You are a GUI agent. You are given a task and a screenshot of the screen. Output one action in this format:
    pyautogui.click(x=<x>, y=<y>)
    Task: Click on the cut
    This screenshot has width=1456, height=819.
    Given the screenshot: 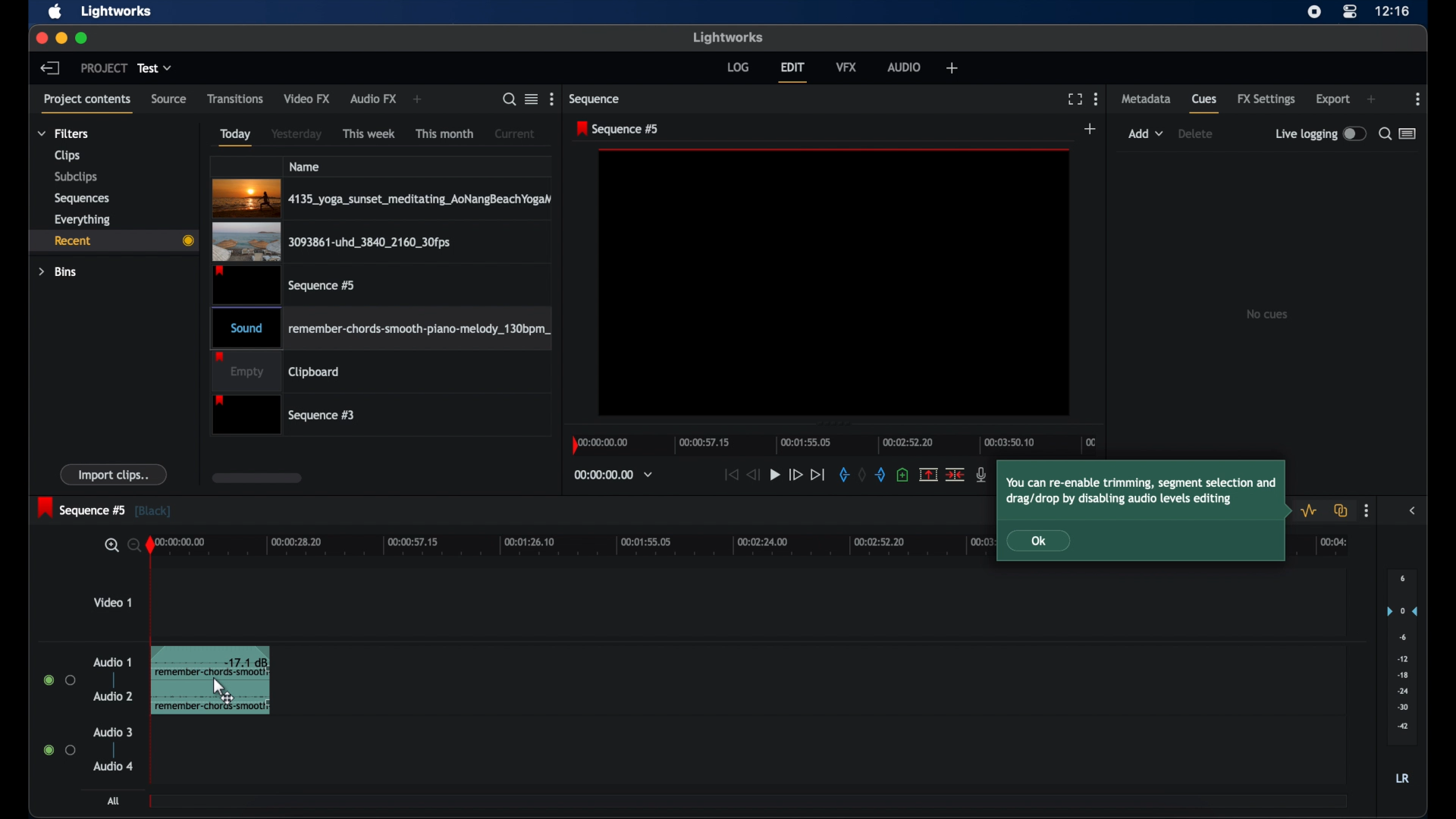 What is the action you would take?
    pyautogui.click(x=955, y=474)
    